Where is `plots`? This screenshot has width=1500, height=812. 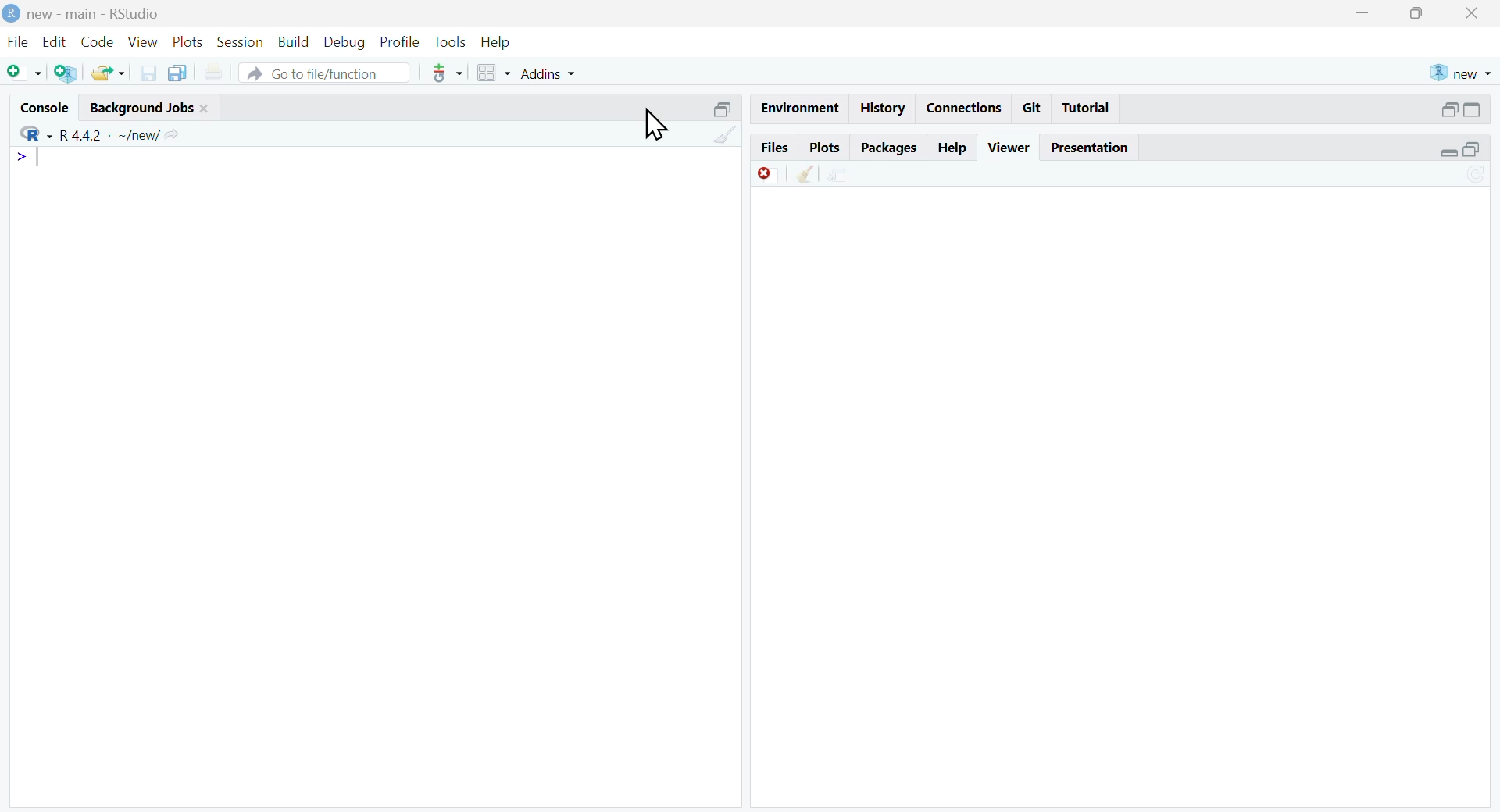 plots is located at coordinates (189, 41).